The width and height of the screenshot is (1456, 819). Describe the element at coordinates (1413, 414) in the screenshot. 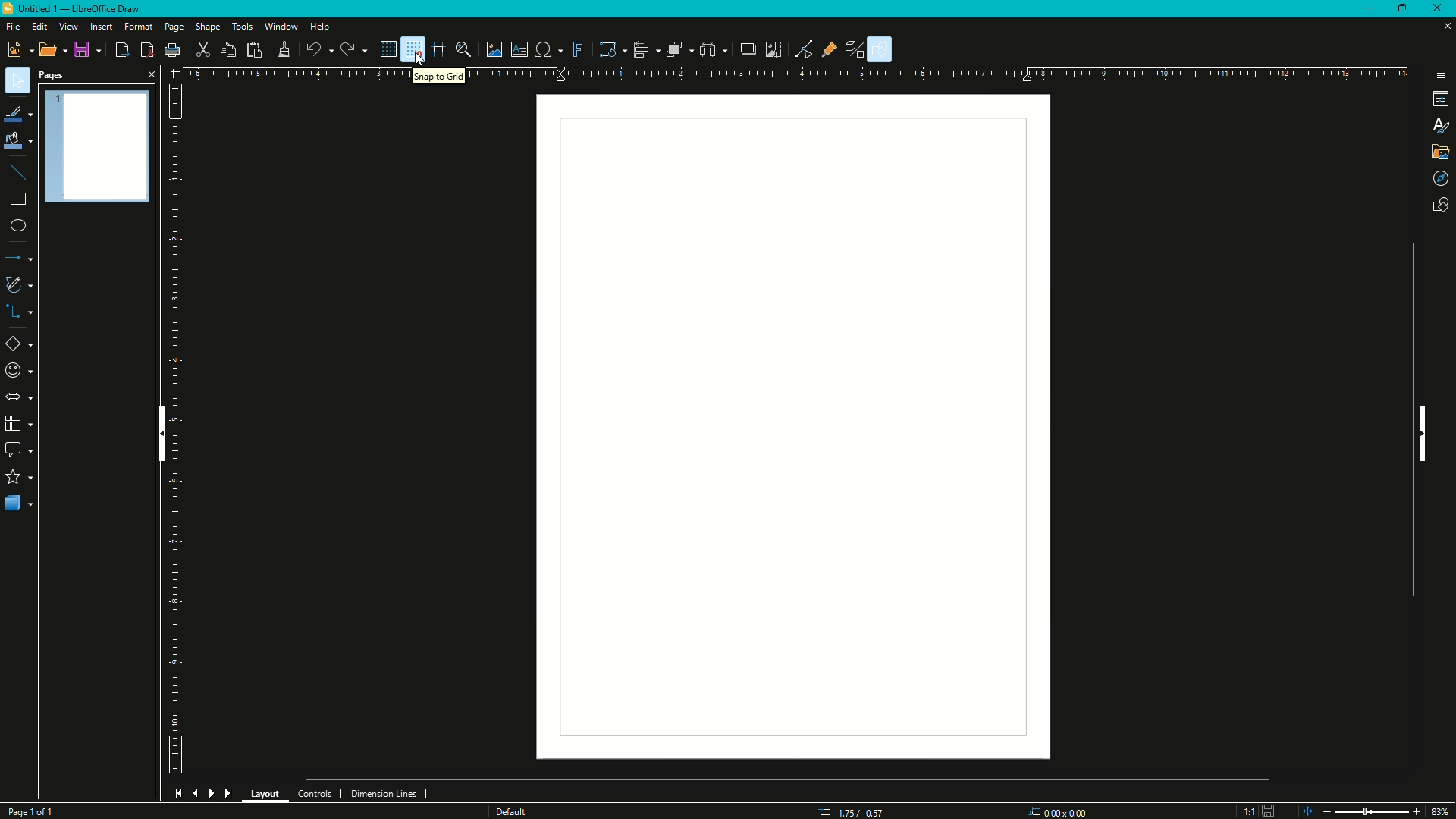

I see `Scroll` at that location.